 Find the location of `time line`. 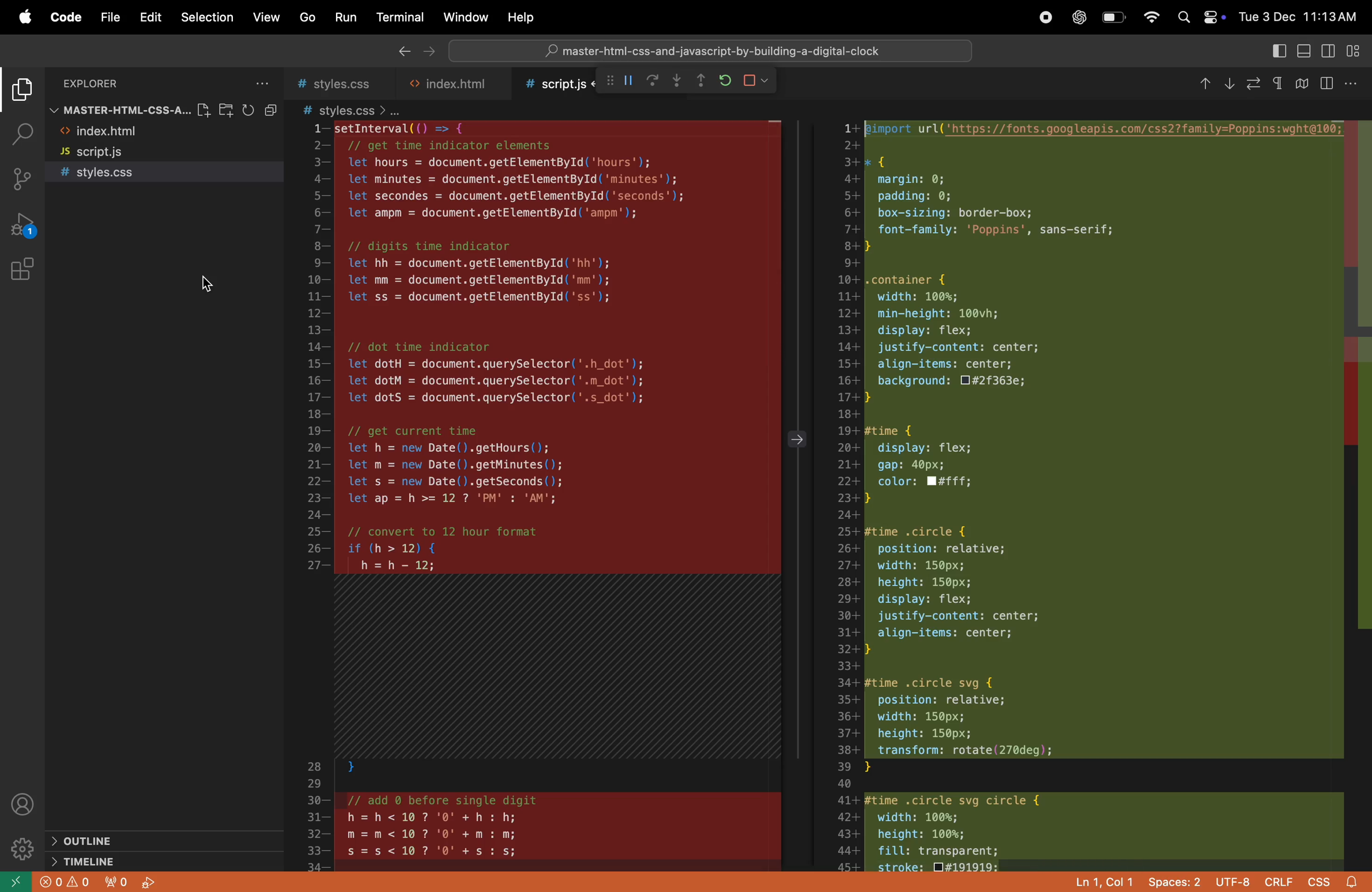

time line is located at coordinates (101, 860).